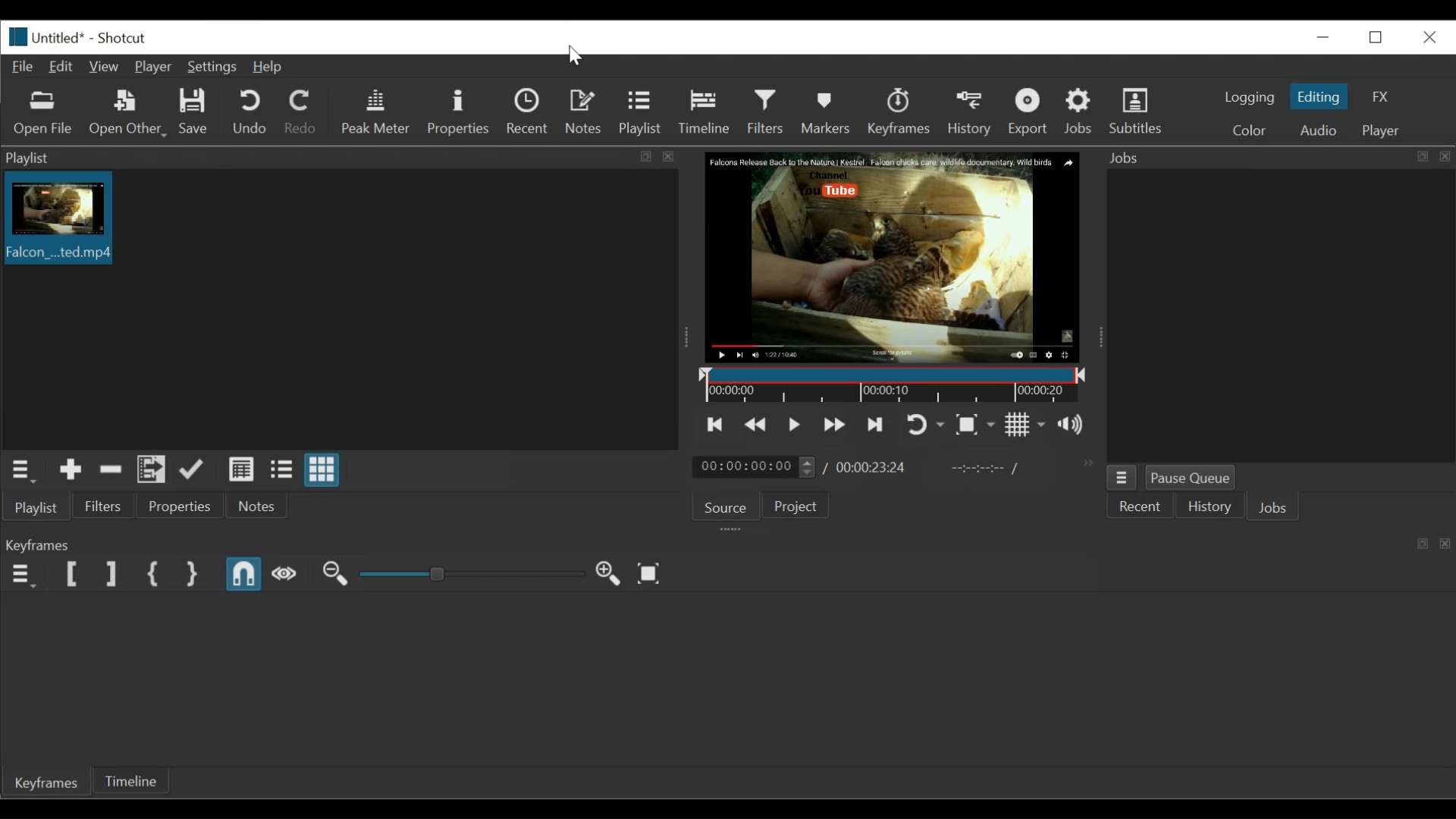 This screenshot has width=1456, height=819. What do you see at coordinates (752, 466) in the screenshot?
I see `00:00:00:00` at bounding box center [752, 466].